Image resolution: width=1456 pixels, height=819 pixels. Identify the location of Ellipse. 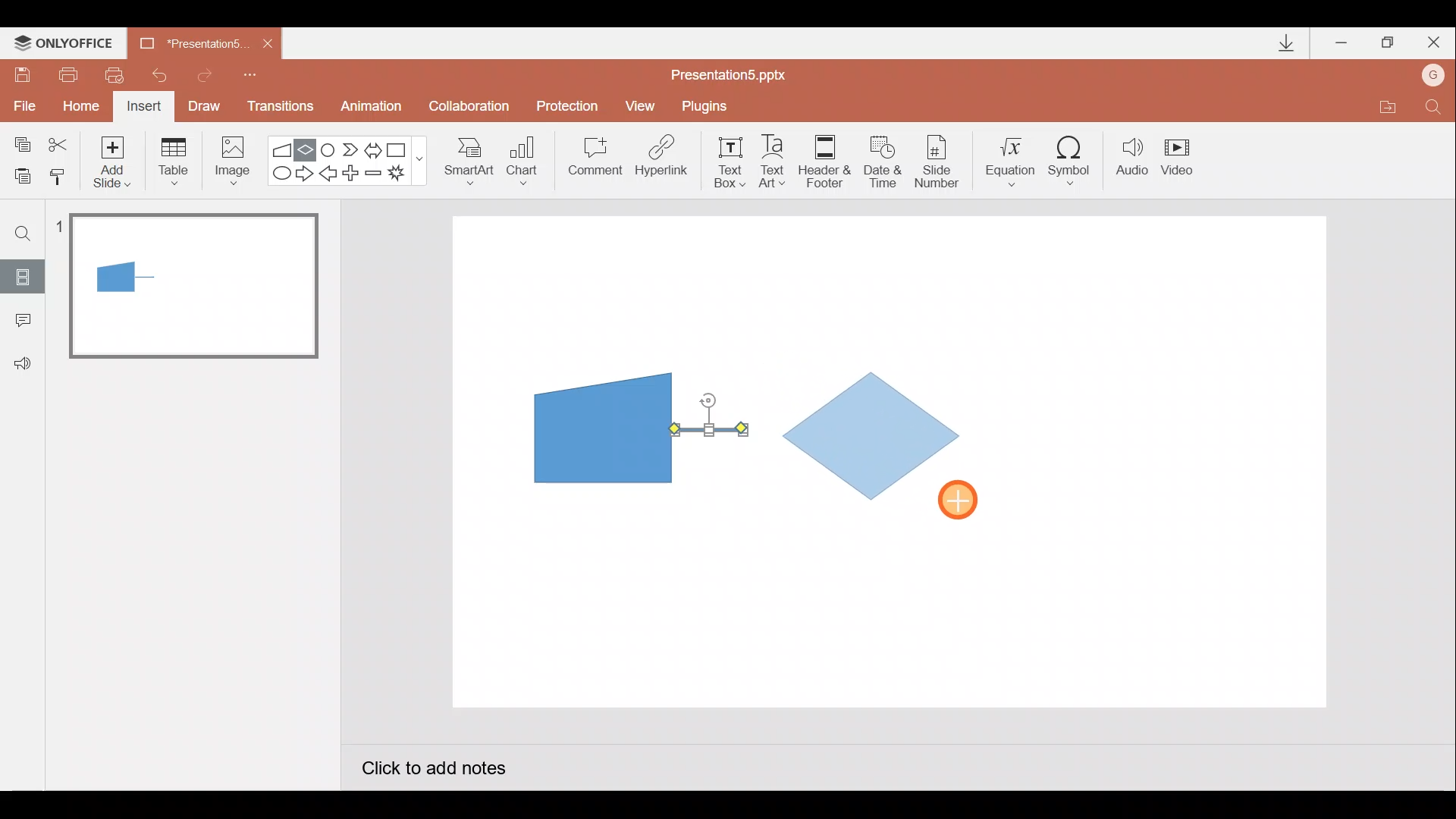
(278, 174).